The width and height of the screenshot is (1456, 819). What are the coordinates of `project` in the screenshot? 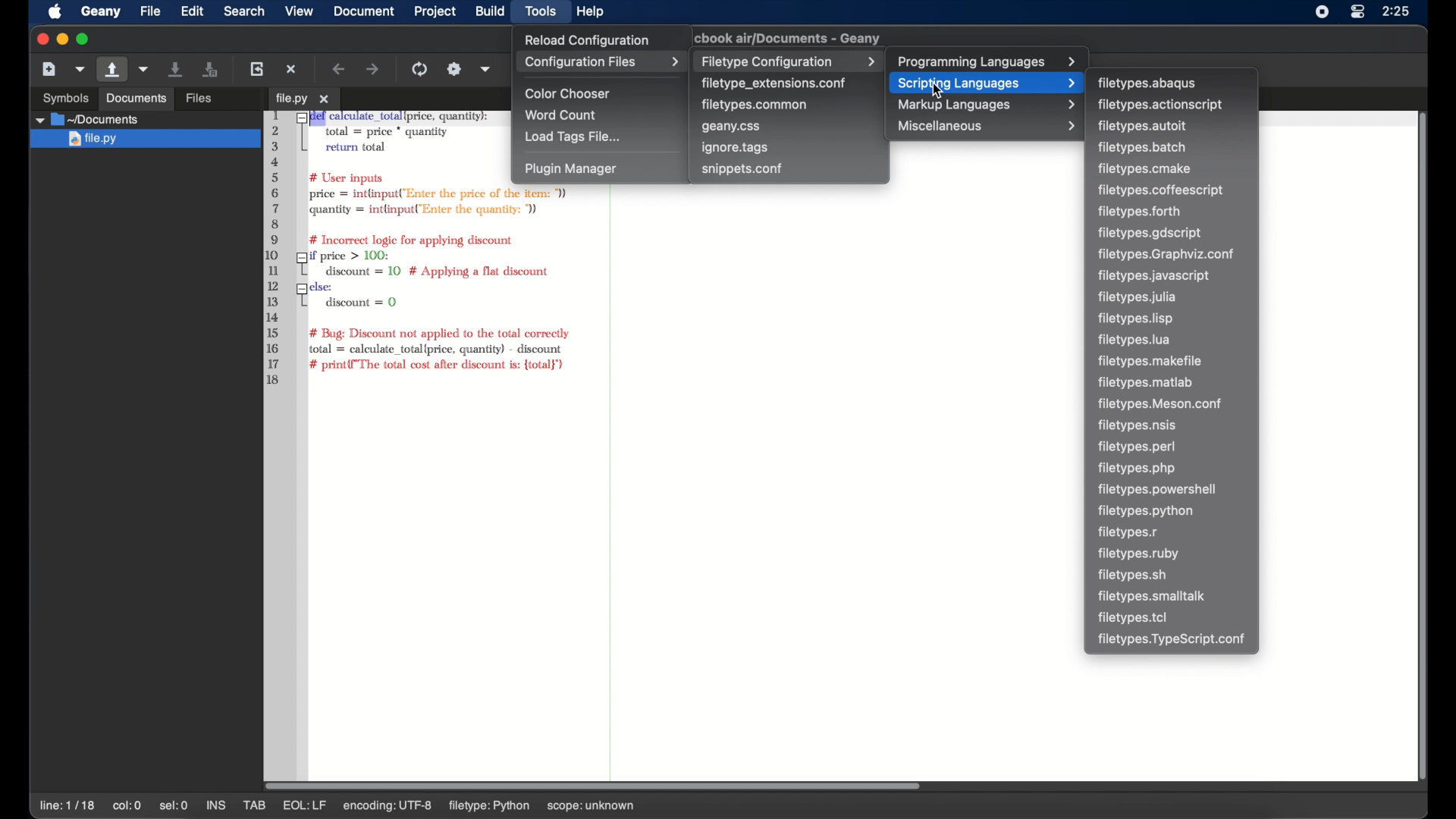 It's located at (436, 11).